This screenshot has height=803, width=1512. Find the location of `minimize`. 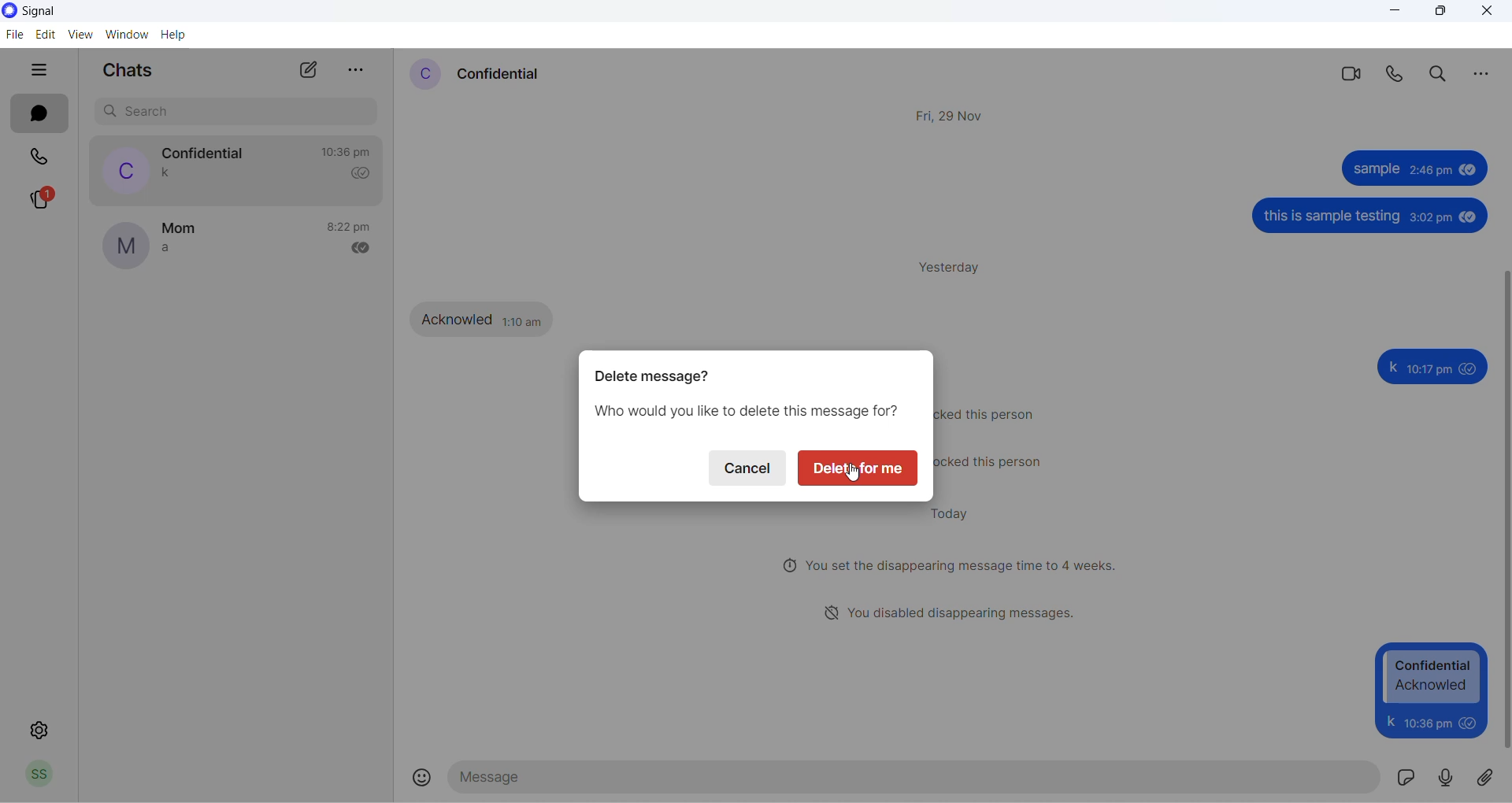

minimize is located at coordinates (1385, 13).